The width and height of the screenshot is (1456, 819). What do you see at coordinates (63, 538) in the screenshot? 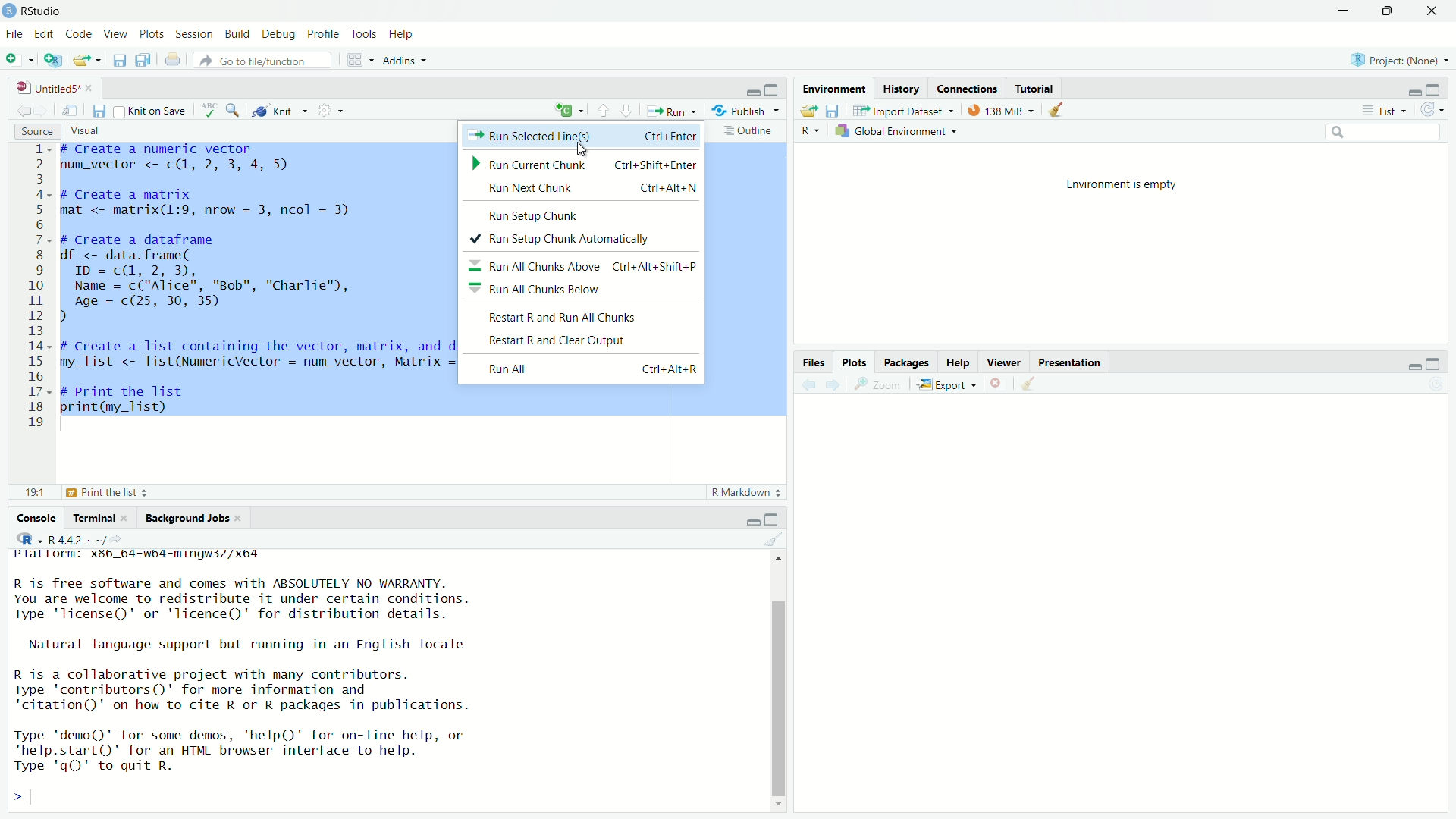
I see `. R442 - ~/` at bounding box center [63, 538].